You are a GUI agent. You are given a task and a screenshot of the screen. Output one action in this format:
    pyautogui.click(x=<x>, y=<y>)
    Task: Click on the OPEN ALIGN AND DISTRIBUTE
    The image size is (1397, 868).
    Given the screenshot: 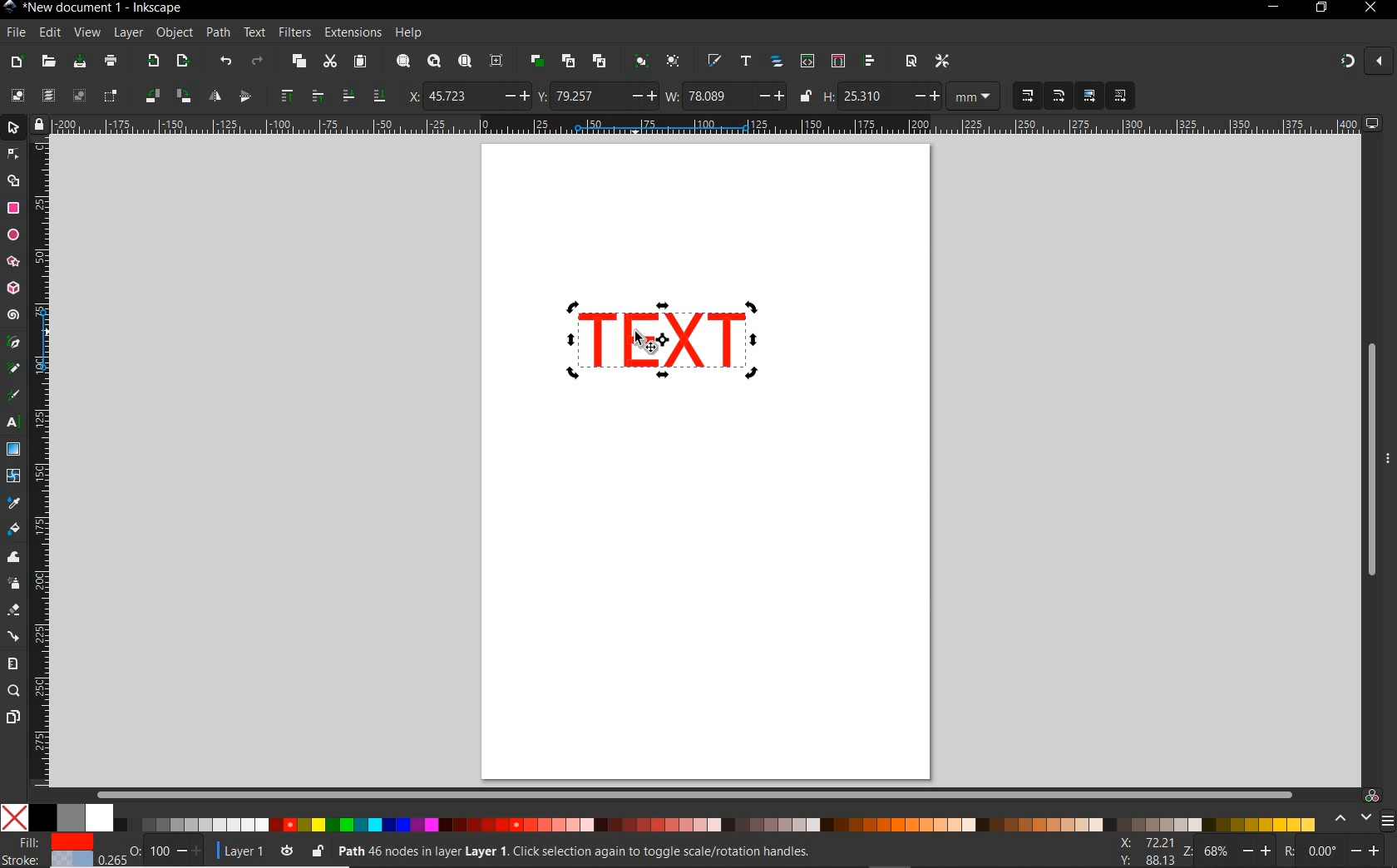 What is the action you would take?
    pyautogui.click(x=870, y=61)
    